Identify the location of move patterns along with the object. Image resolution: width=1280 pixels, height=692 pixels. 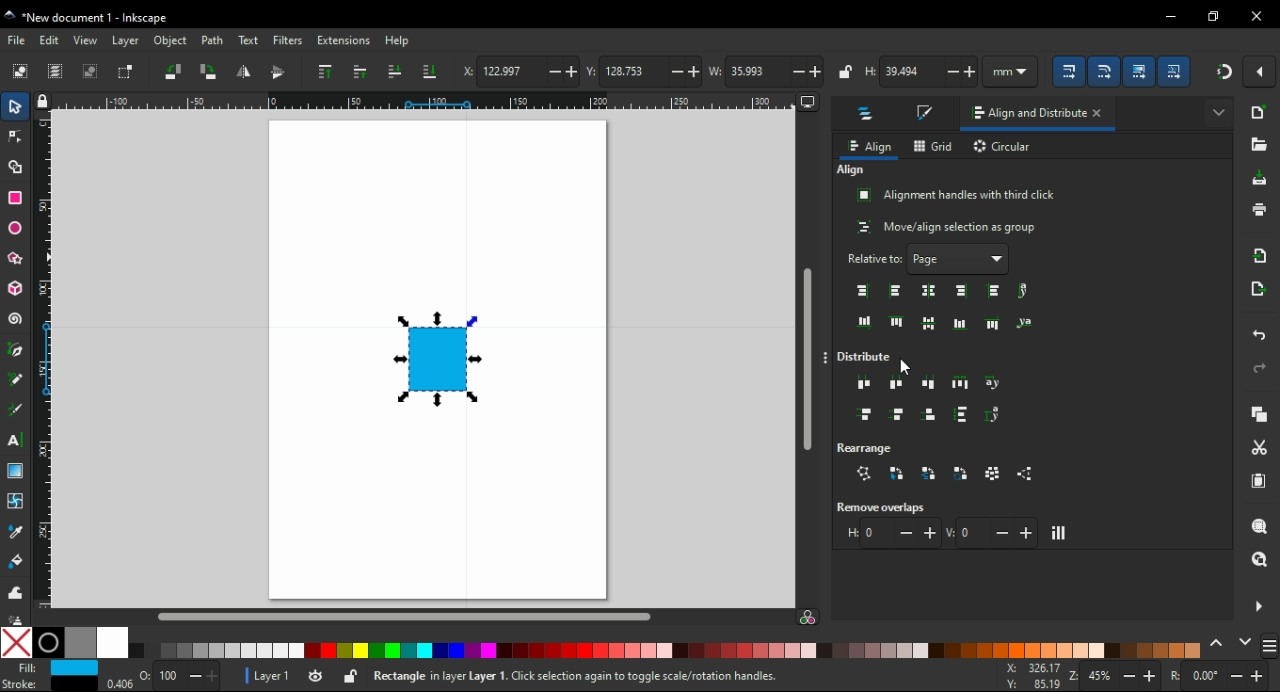
(1176, 70).